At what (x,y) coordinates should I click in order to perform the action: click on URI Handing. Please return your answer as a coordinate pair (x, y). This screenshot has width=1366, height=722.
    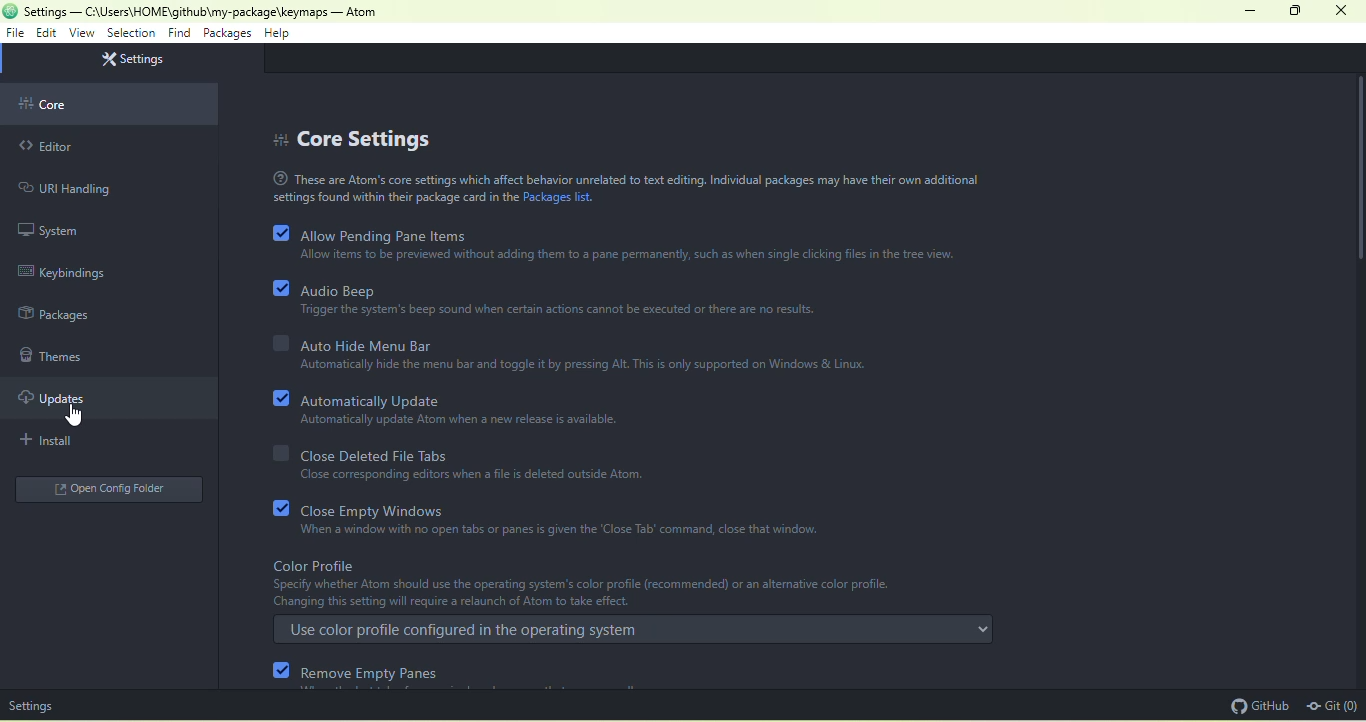
    Looking at the image, I should click on (62, 188).